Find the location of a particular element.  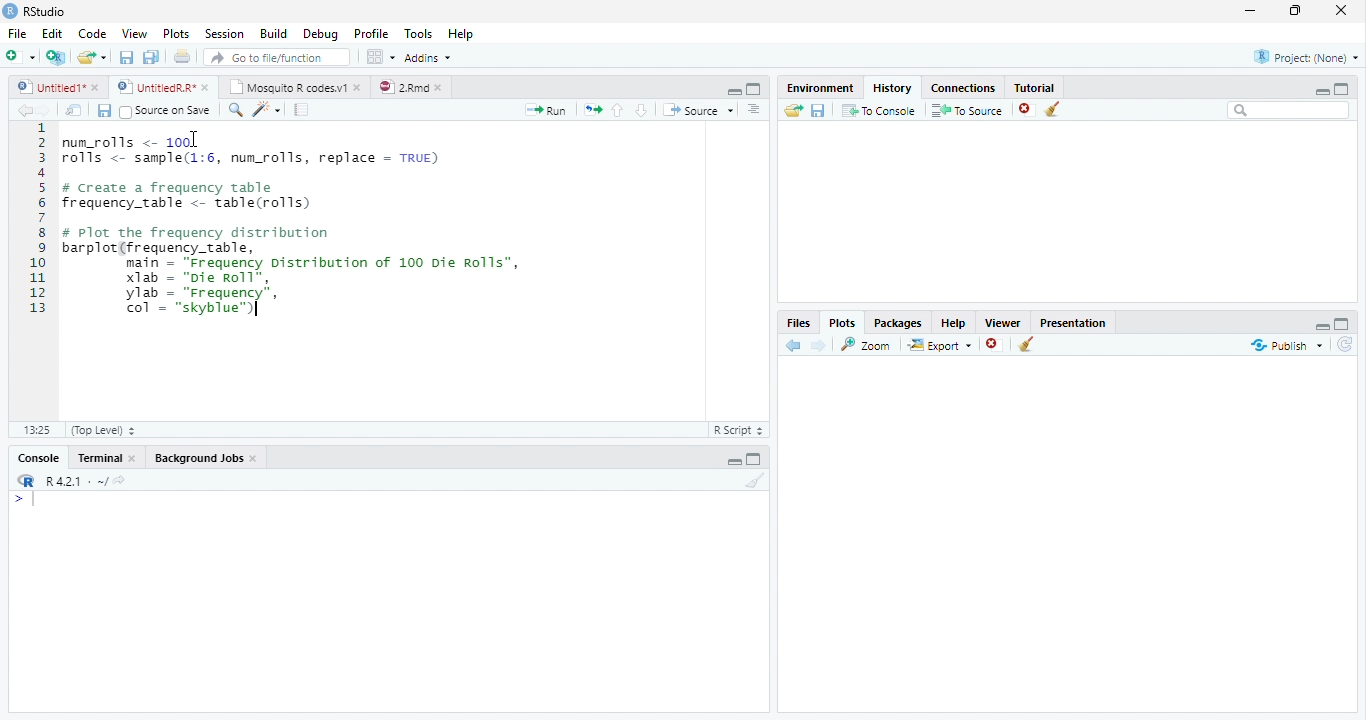

(Top Level) is located at coordinates (103, 430).